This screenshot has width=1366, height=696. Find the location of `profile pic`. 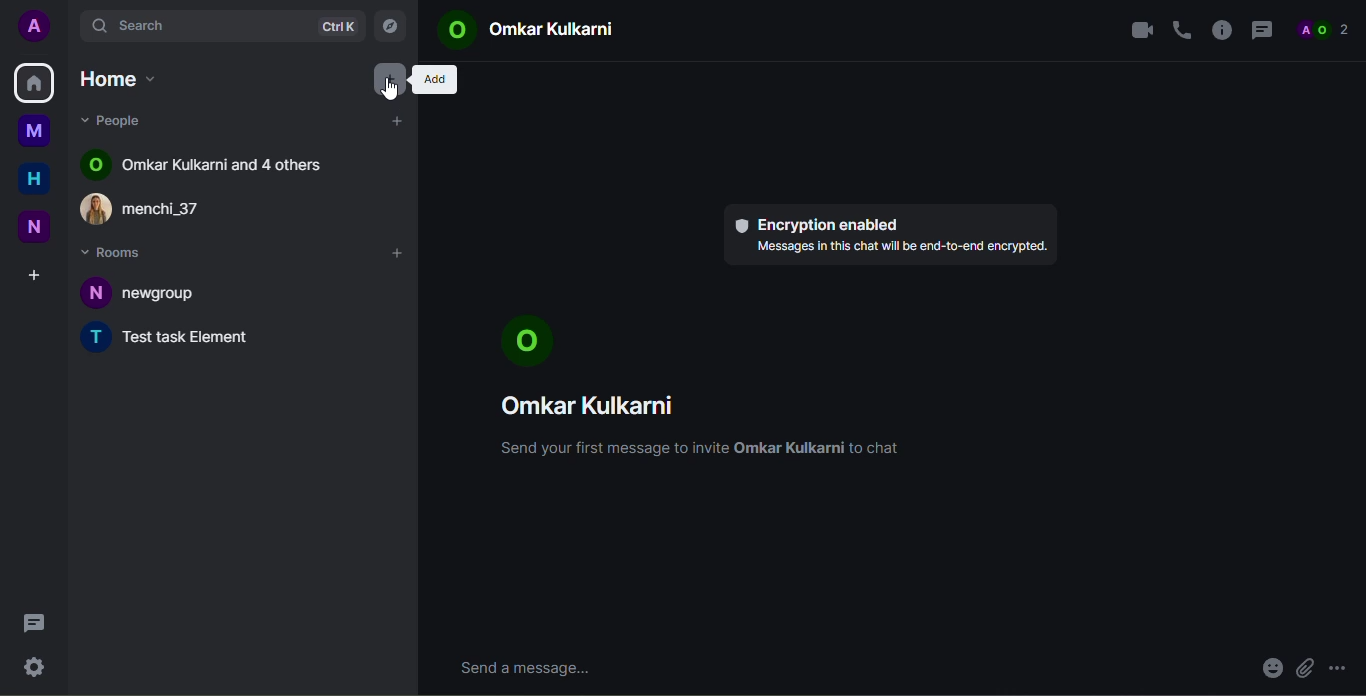

profile pic is located at coordinates (530, 341).